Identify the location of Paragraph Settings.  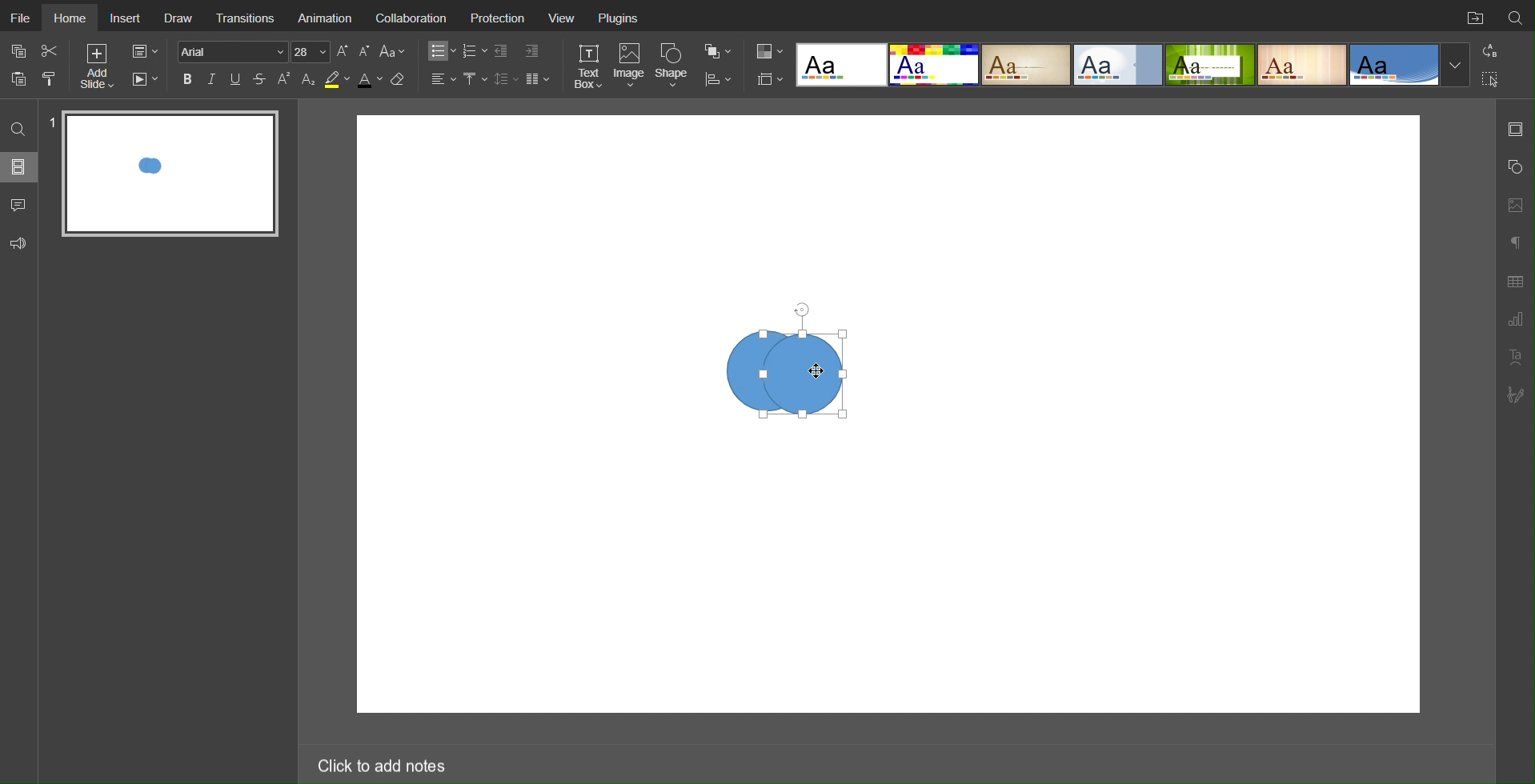
(1515, 320).